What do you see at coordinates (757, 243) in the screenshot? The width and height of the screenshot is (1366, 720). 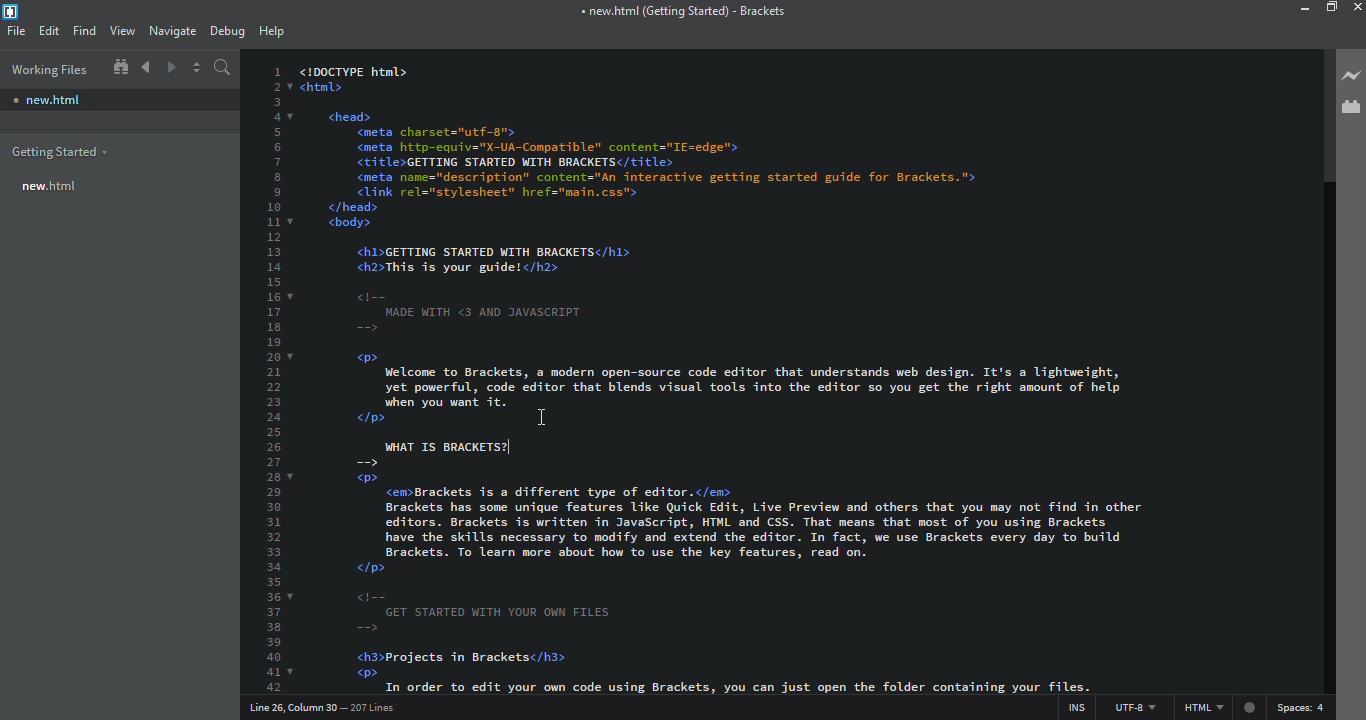 I see `test code` at bounding box center [757, 243].